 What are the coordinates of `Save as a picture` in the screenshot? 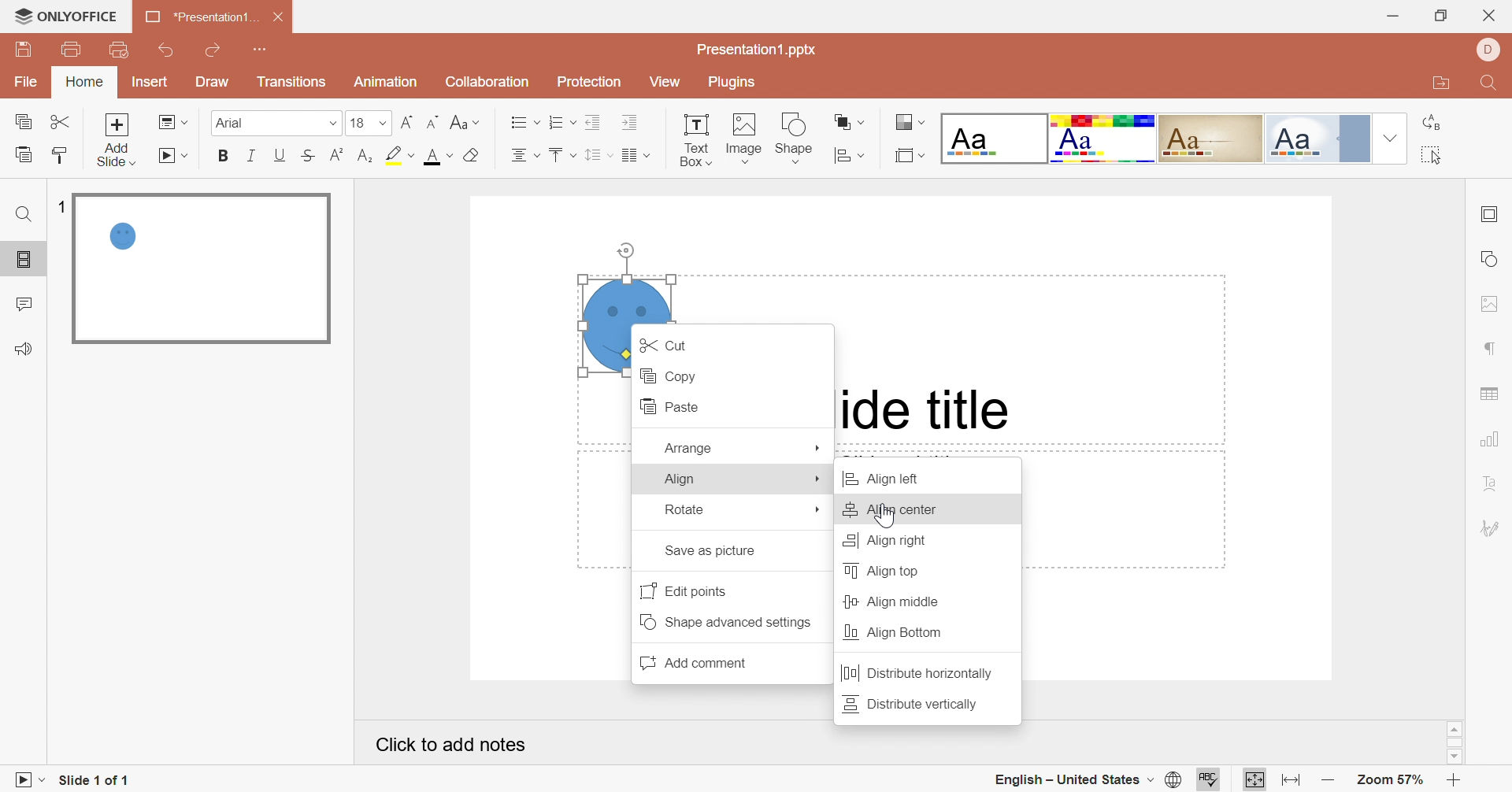 It's located at (717, 551).